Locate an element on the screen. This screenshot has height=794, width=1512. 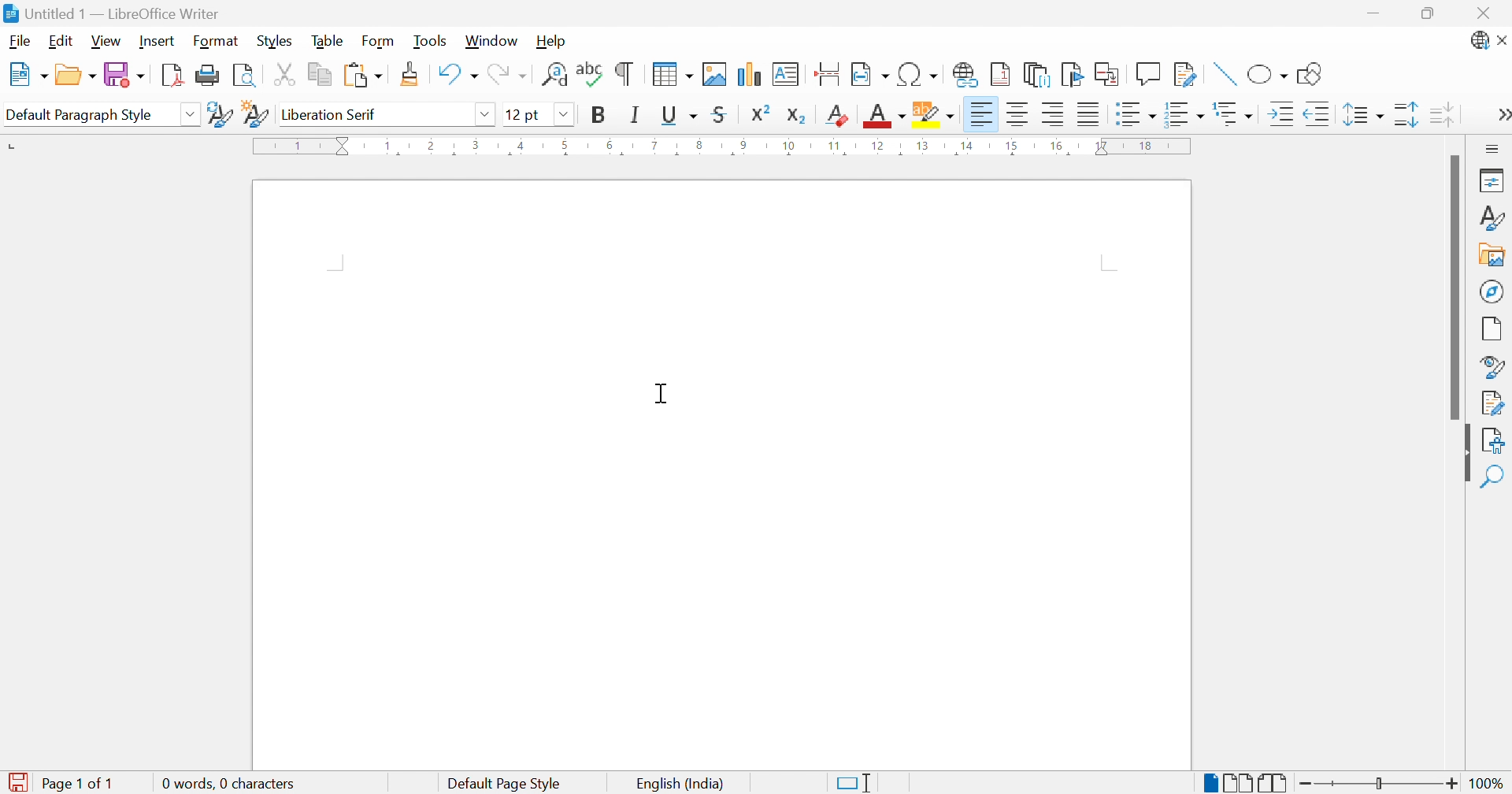
Page is located at coordinates (1493, 331).